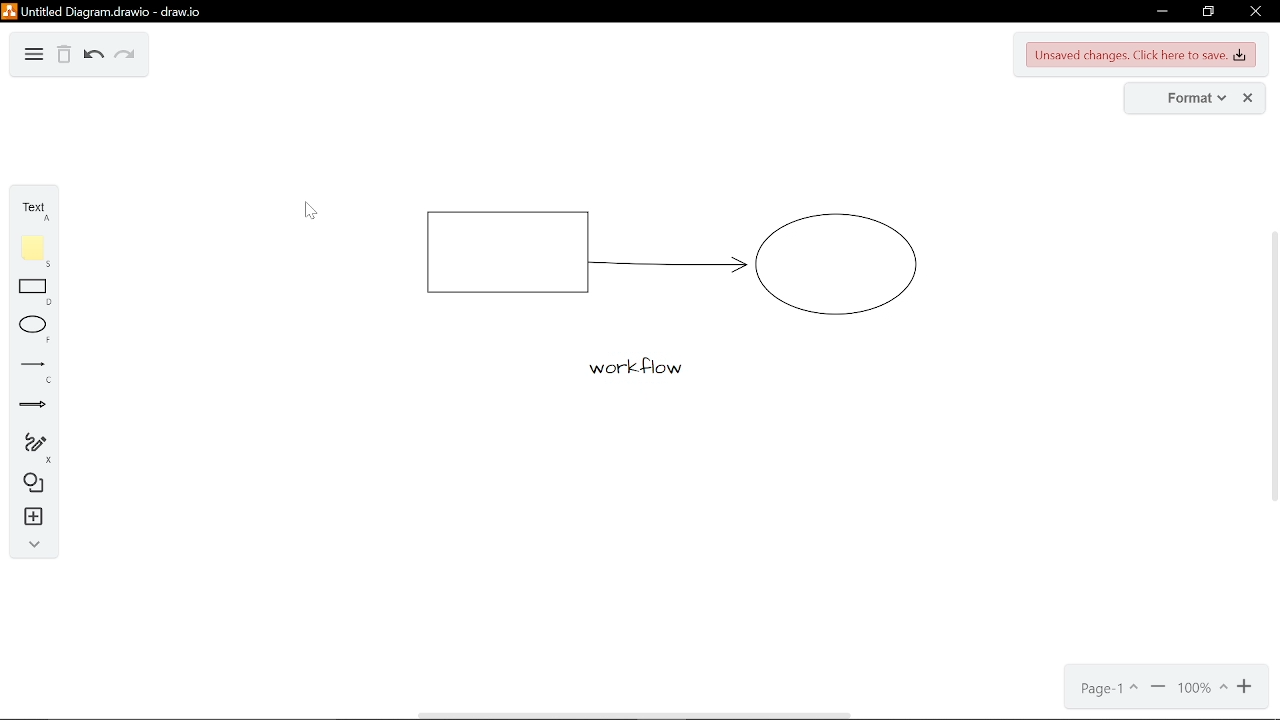 The height and width of the screenshot is (720, 1280). Describe the element at coordinates (307, 211) in the screenshot. I see `cursor` at that location.